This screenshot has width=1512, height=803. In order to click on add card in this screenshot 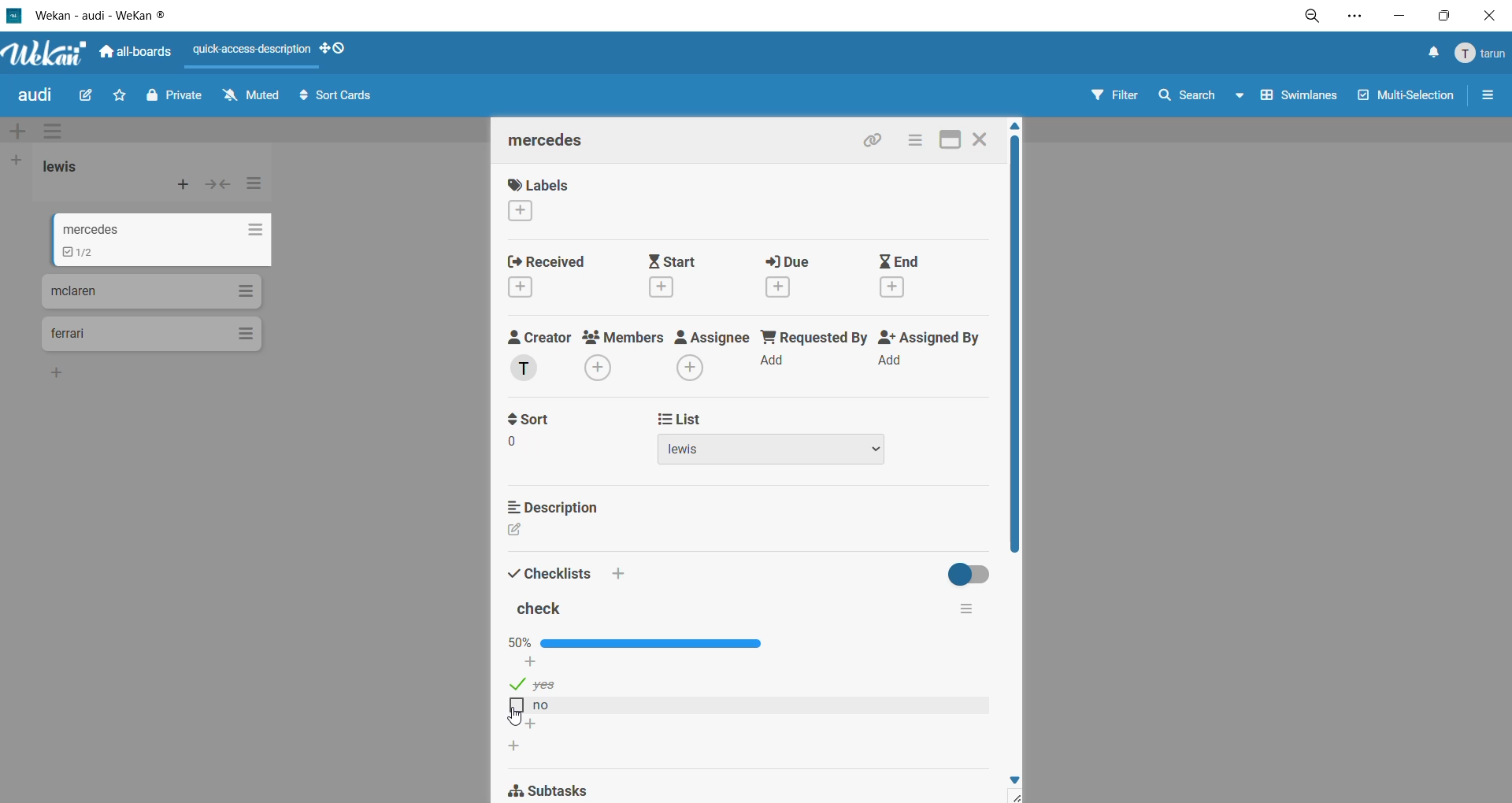, I will do `click(184, 185)`.